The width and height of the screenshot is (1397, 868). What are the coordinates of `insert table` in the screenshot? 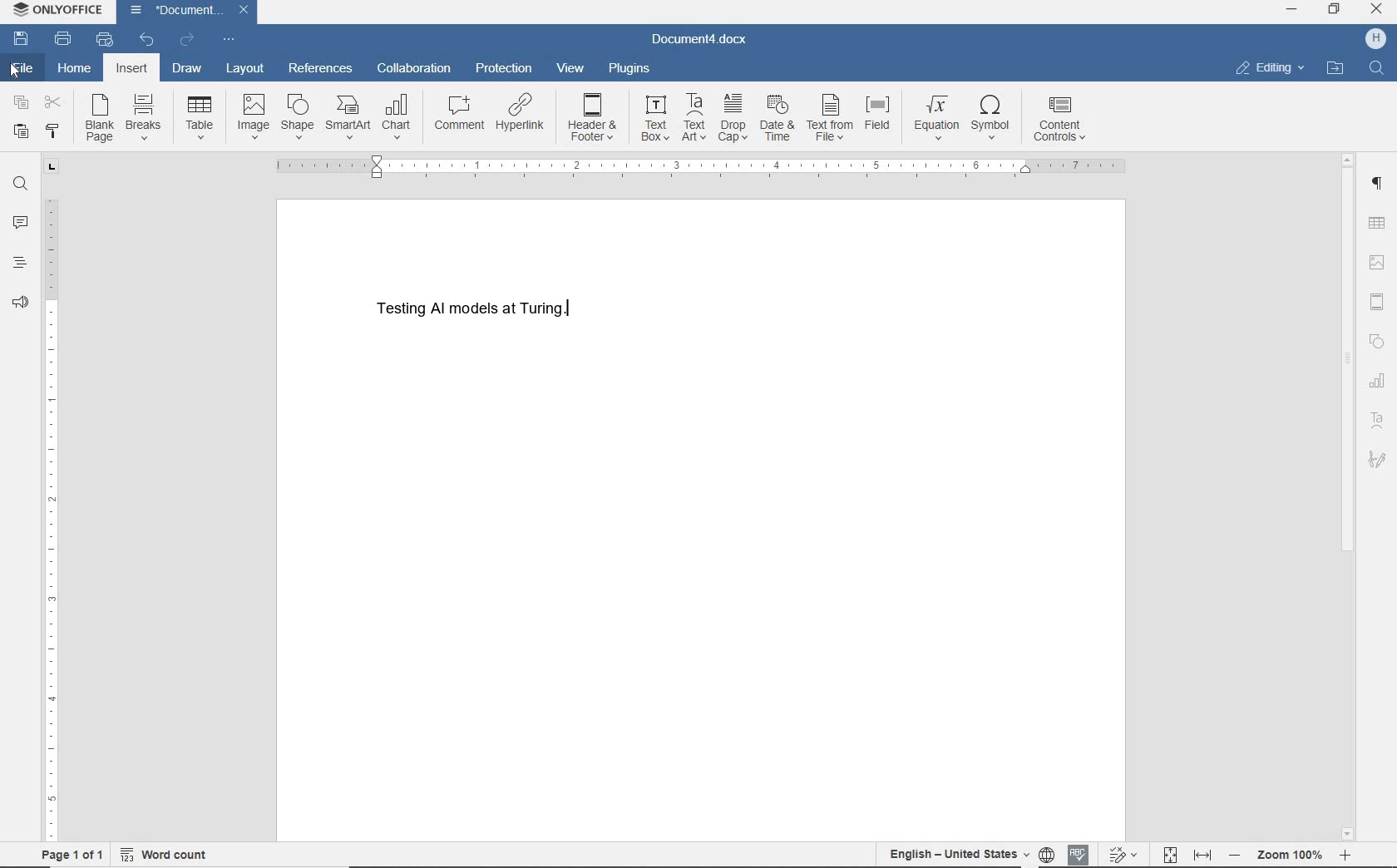 It's located at (1378, 223).